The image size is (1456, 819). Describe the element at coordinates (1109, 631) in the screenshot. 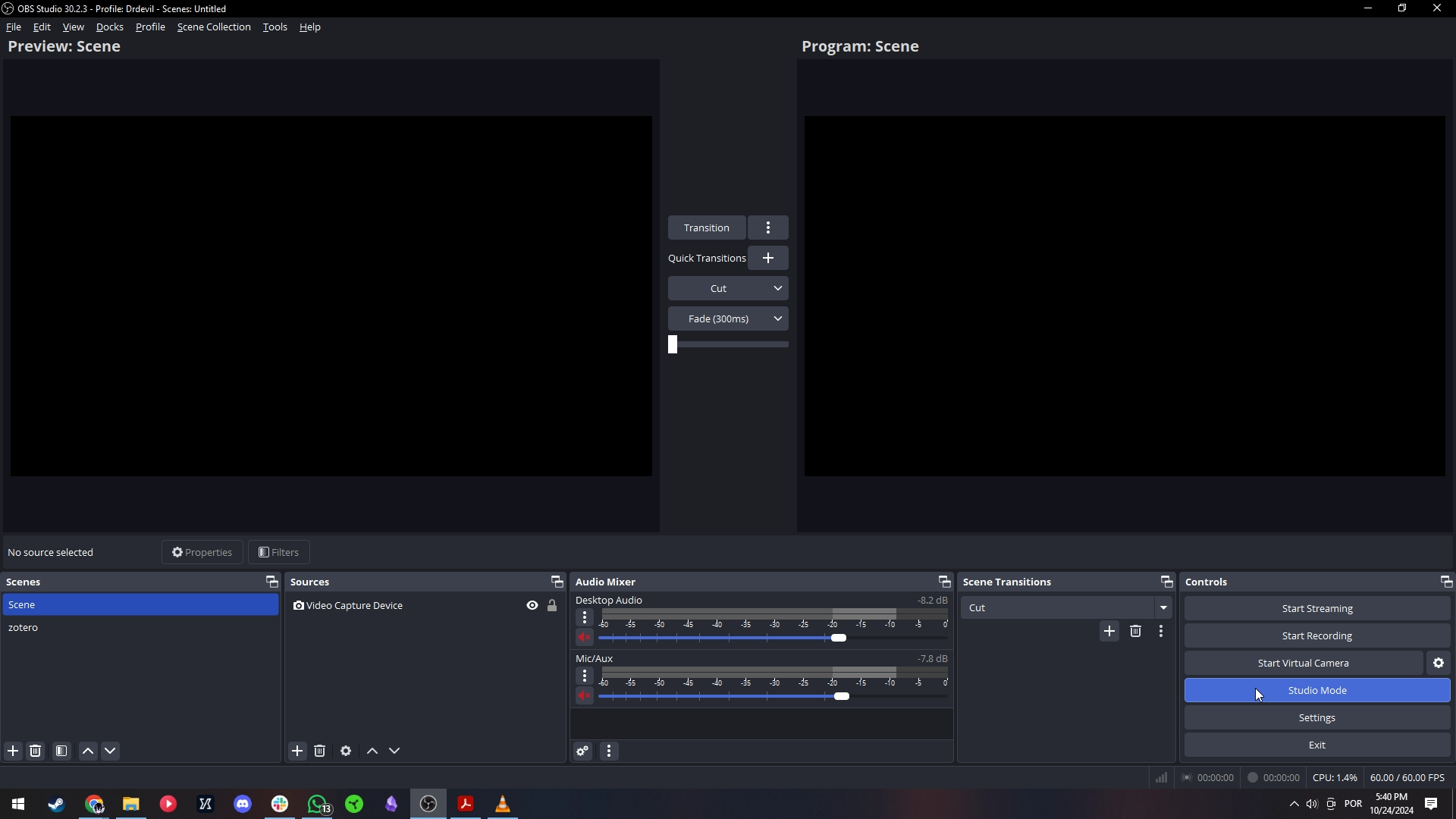

I see `Add scene transition` at that location.